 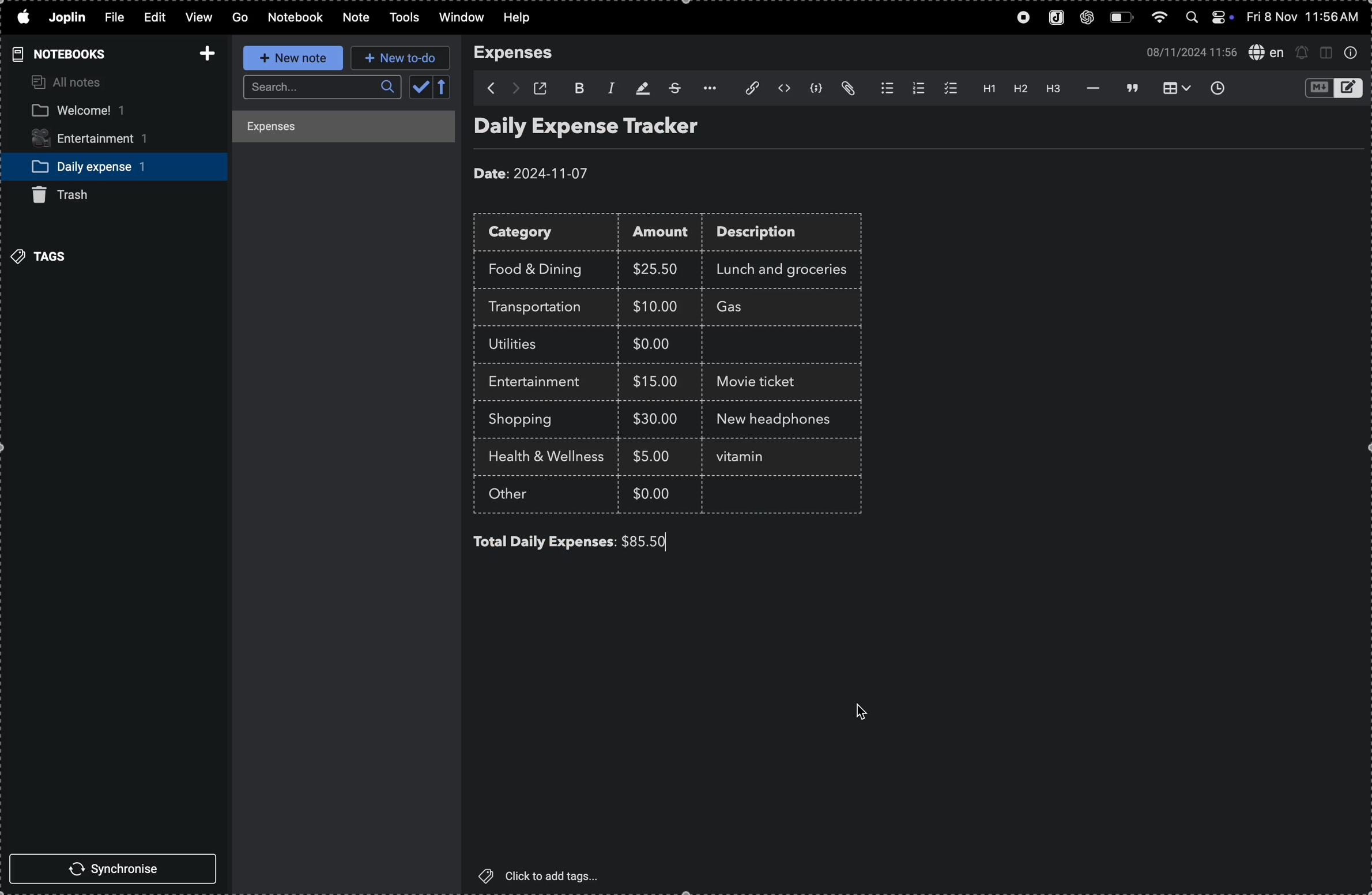 I want to click on edit, so click(x=149, y=16).